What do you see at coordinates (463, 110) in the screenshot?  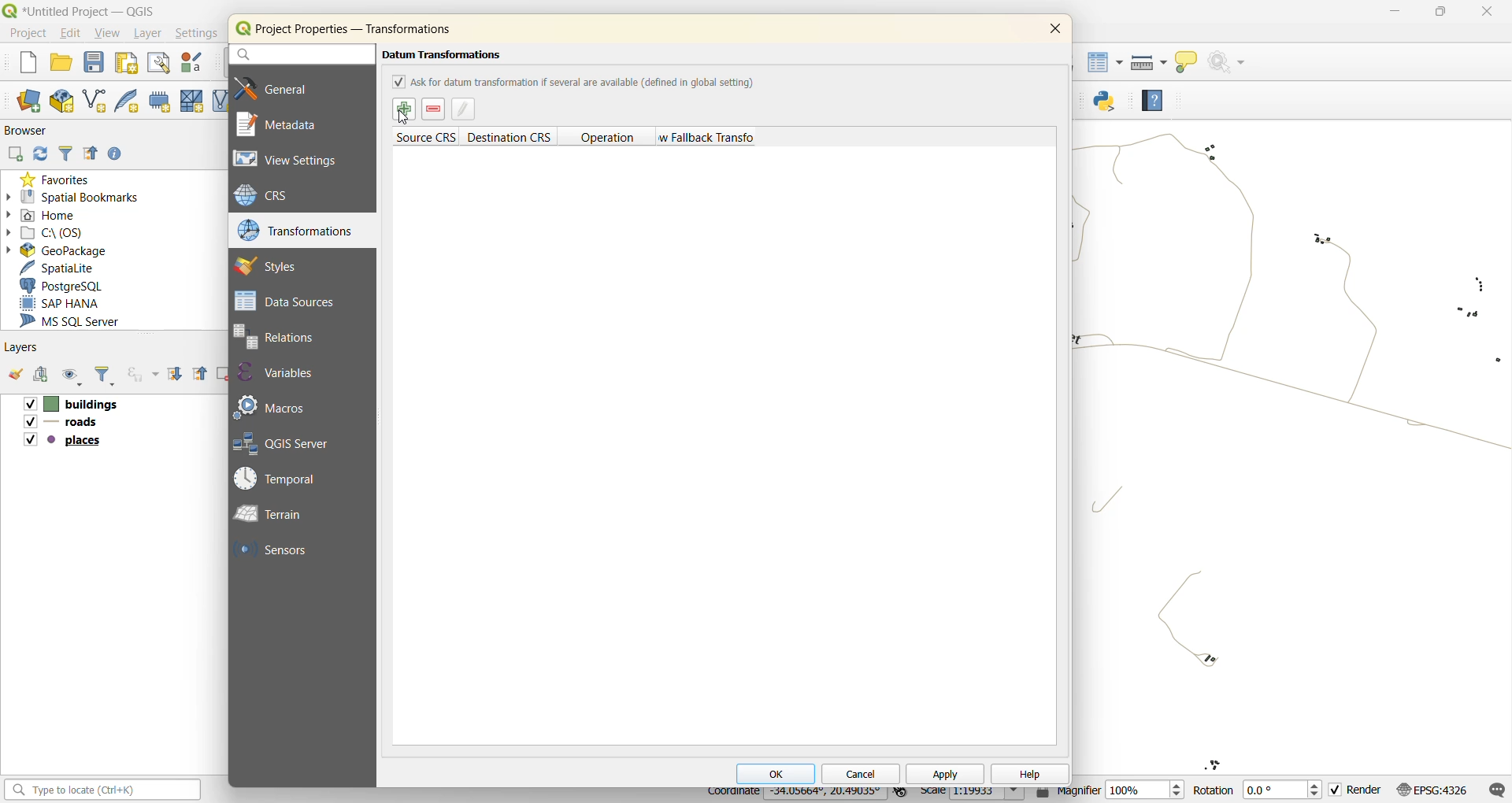 I see `edit` at bounding box center [463, 110].